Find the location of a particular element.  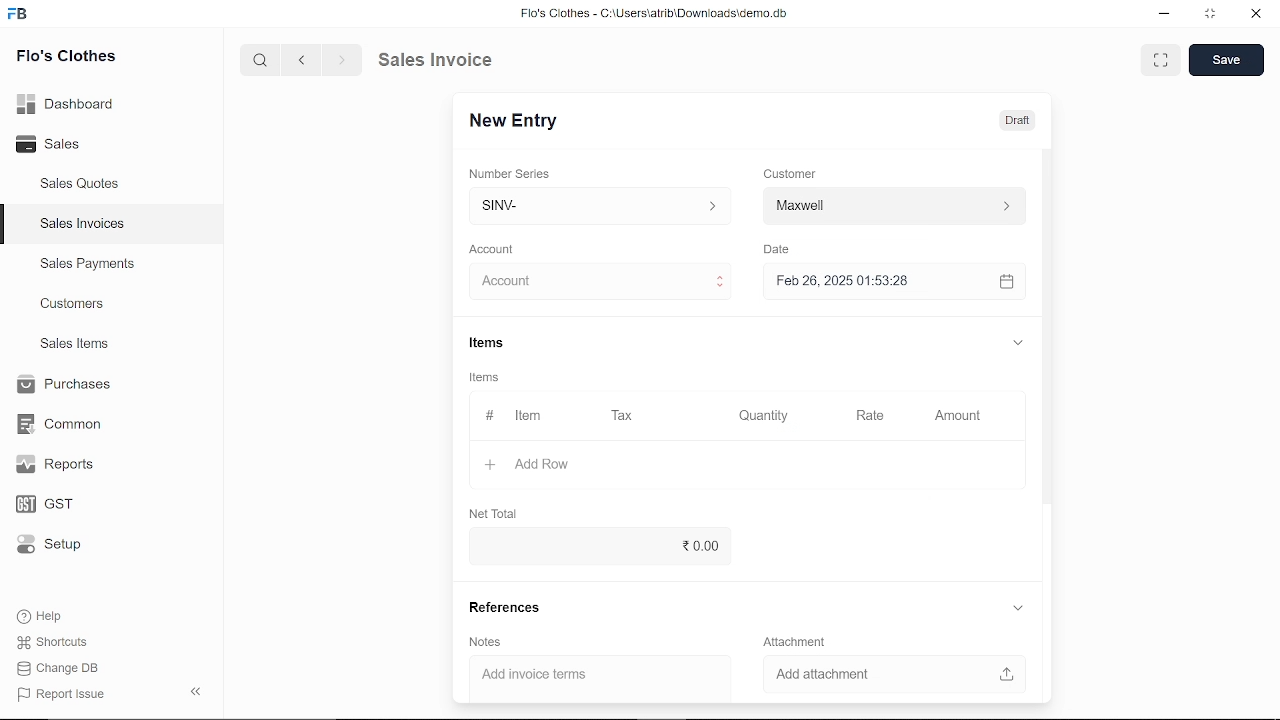

References is located at coordinates (501, 607).